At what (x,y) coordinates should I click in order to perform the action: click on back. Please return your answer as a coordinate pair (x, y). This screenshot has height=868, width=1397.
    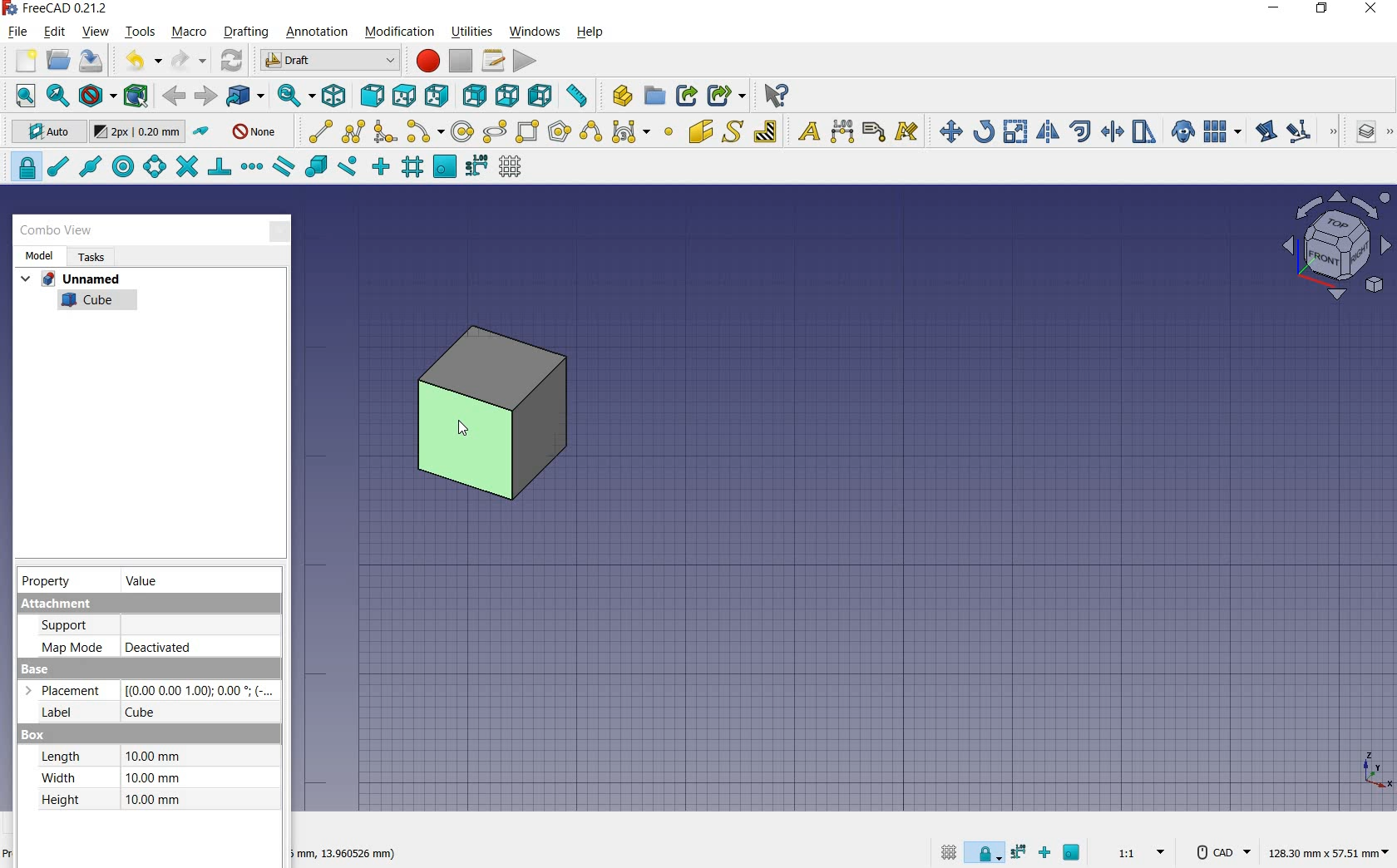
    Looking at the image, I should click on (175, 96).